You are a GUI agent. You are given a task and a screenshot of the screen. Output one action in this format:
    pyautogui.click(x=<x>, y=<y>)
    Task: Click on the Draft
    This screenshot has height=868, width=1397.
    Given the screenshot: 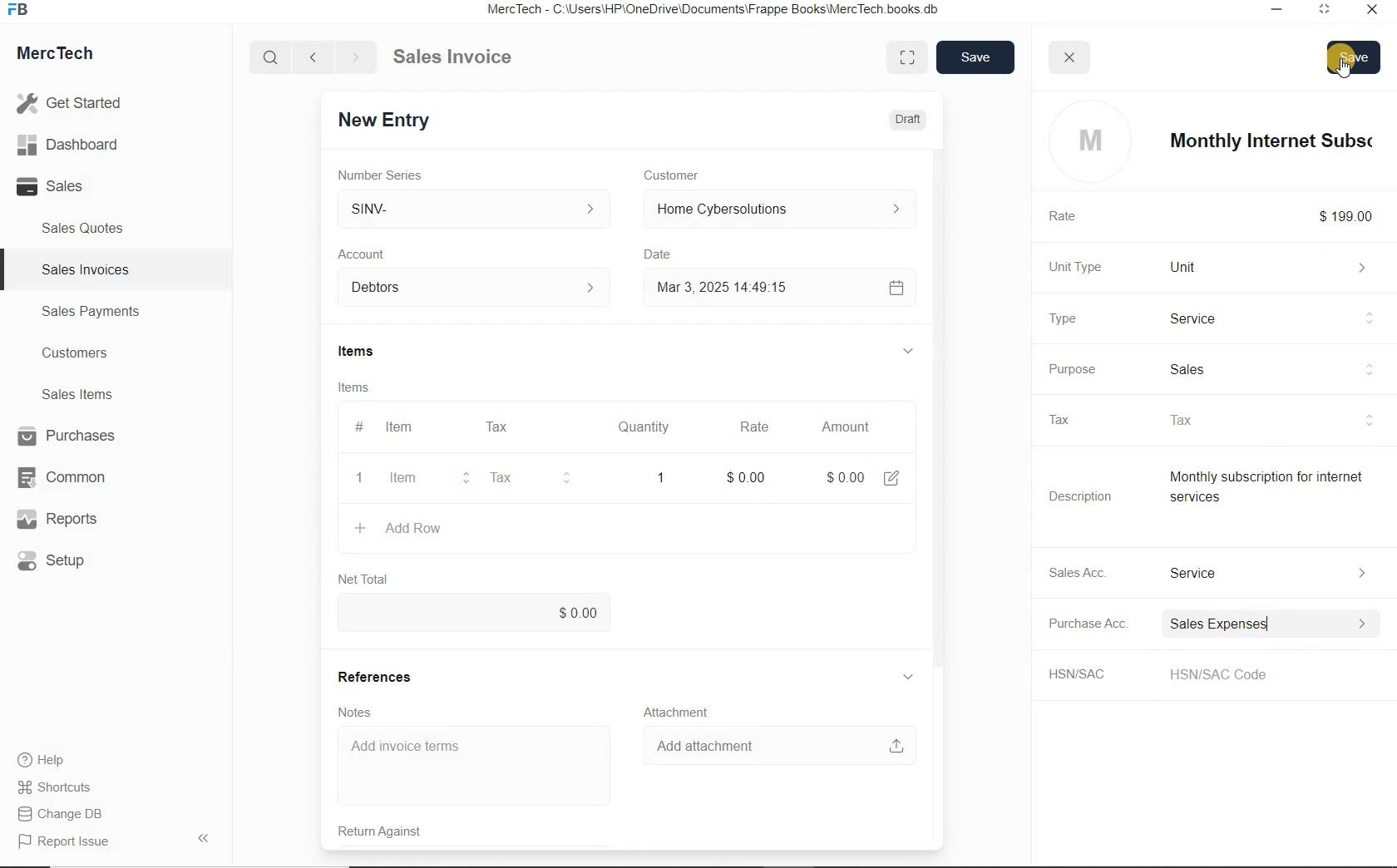 What is the action you would take?
    pyautogui.click(x=900, y=118)
    